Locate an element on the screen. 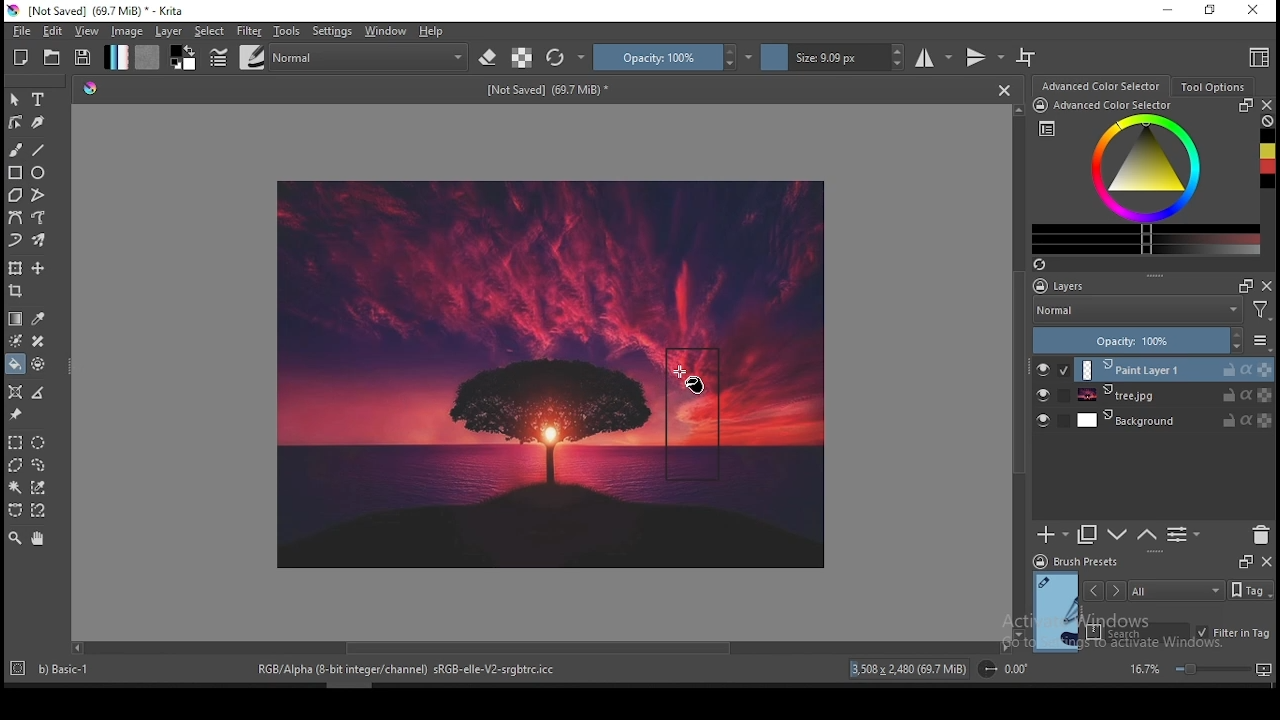 The height and width of the screenshot is (720, 1280). Scroll Bar is located at coordinates (539, 649).